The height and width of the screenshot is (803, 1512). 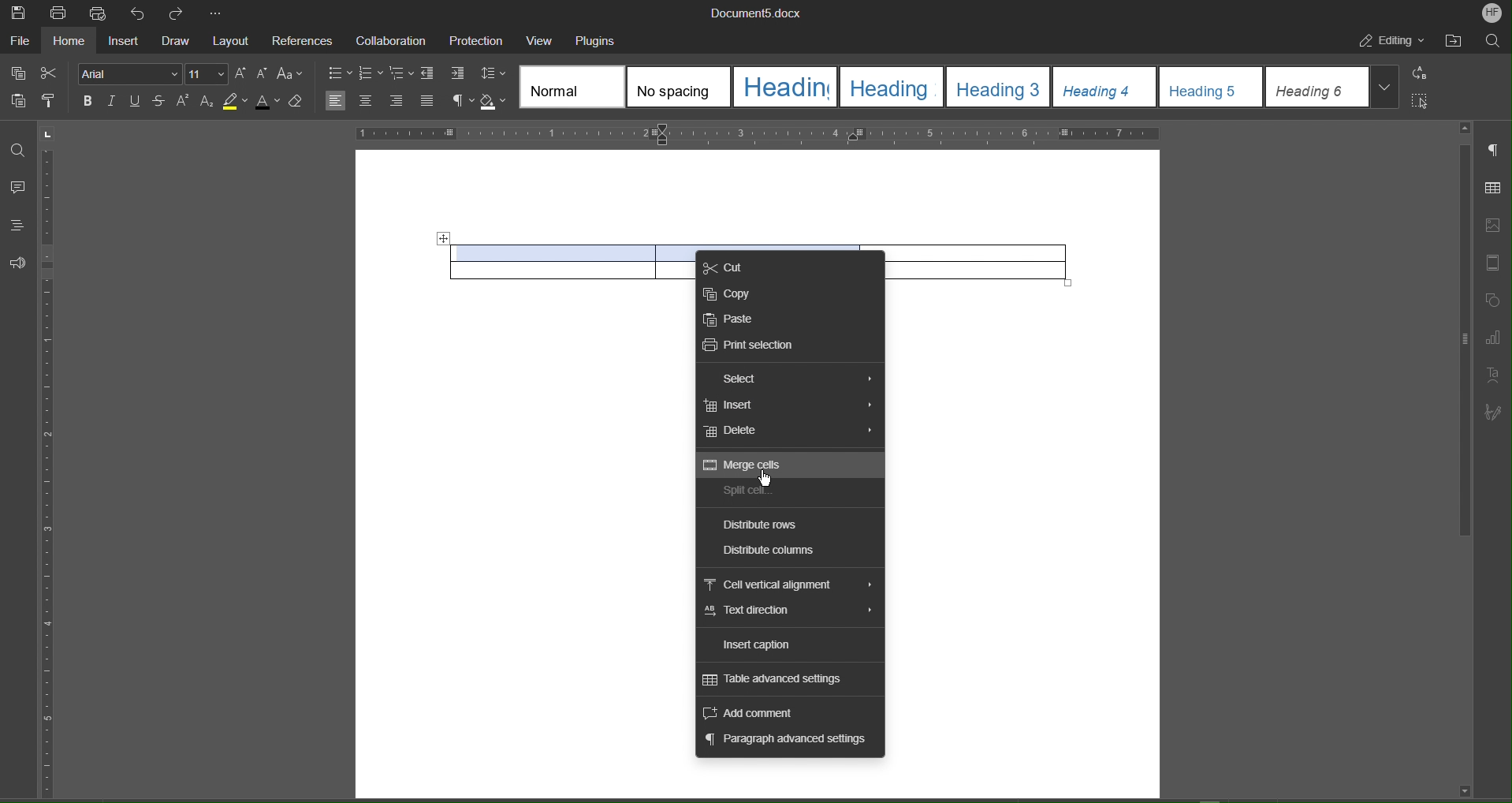 What do you see at coordinates (1424, 73) in the screenshot?
I see `Replace` at bounding box center [1424, 73].